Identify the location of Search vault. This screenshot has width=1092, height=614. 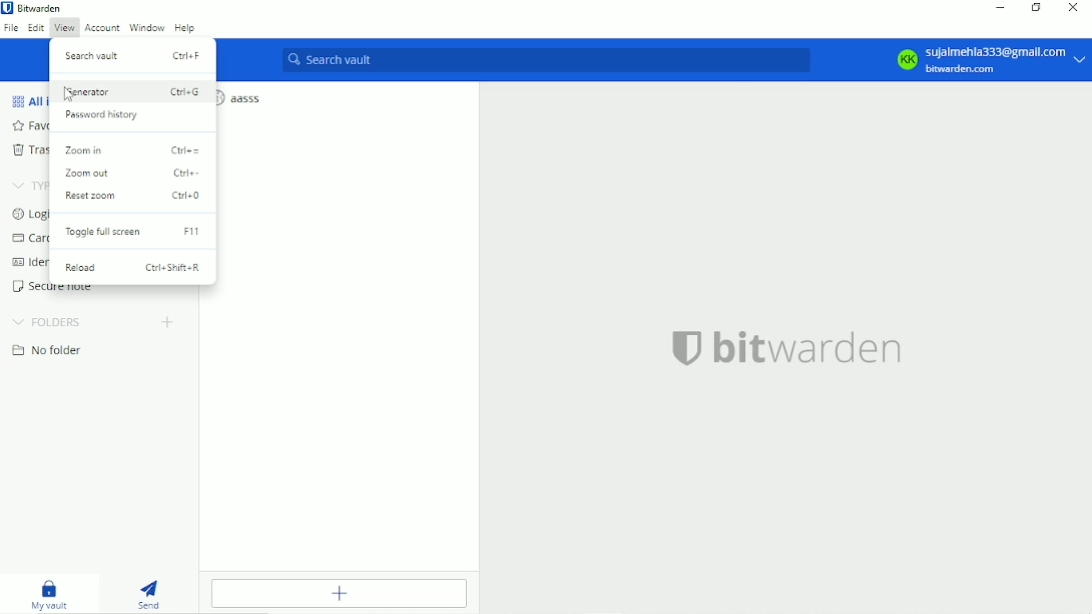
(545, 60).